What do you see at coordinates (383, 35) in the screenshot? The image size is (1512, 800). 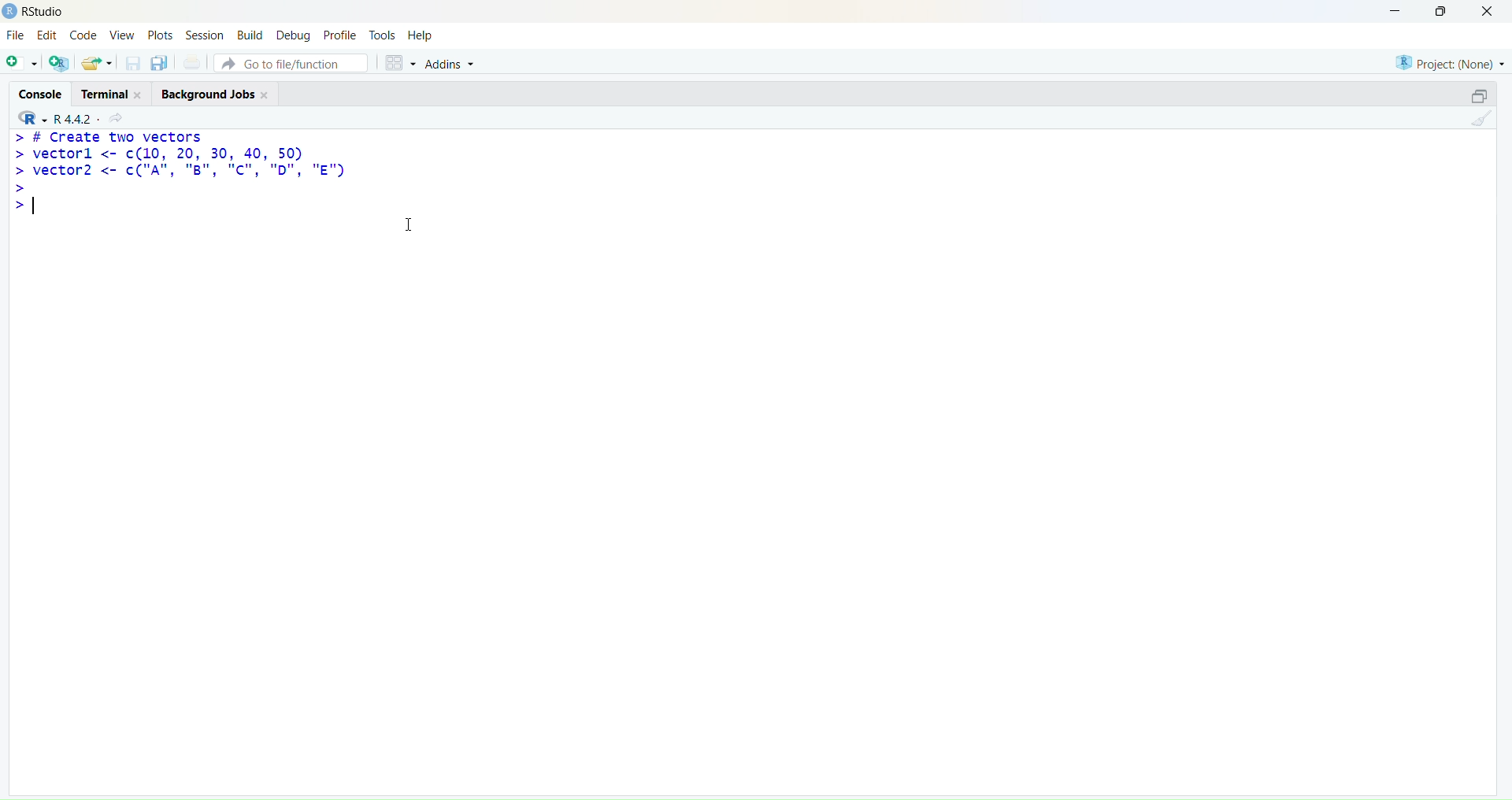 I see `Tools` at bounding box center [383, 35].